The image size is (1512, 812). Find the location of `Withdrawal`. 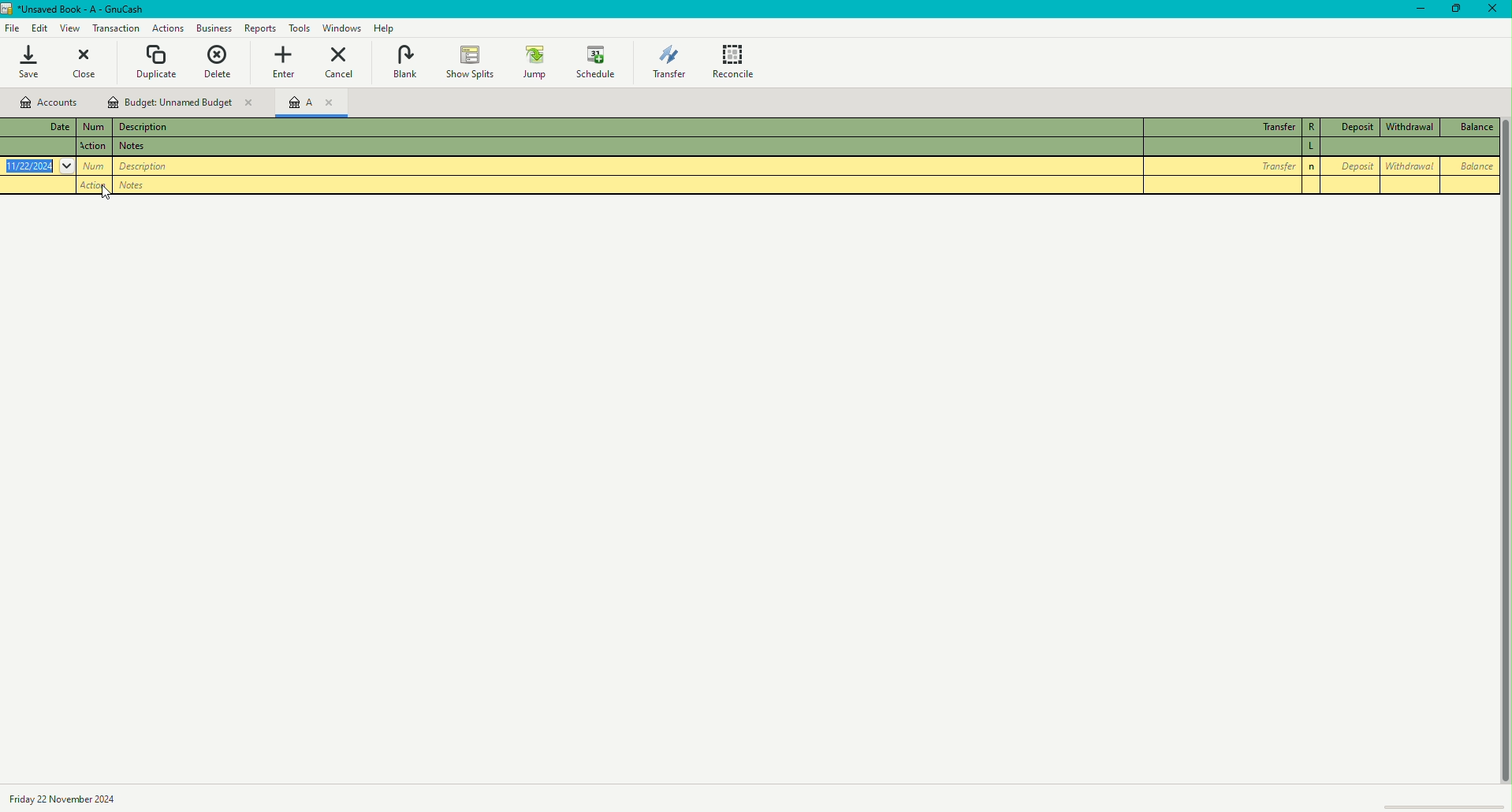

Withdrawal is located at coordinates (1412, 126).